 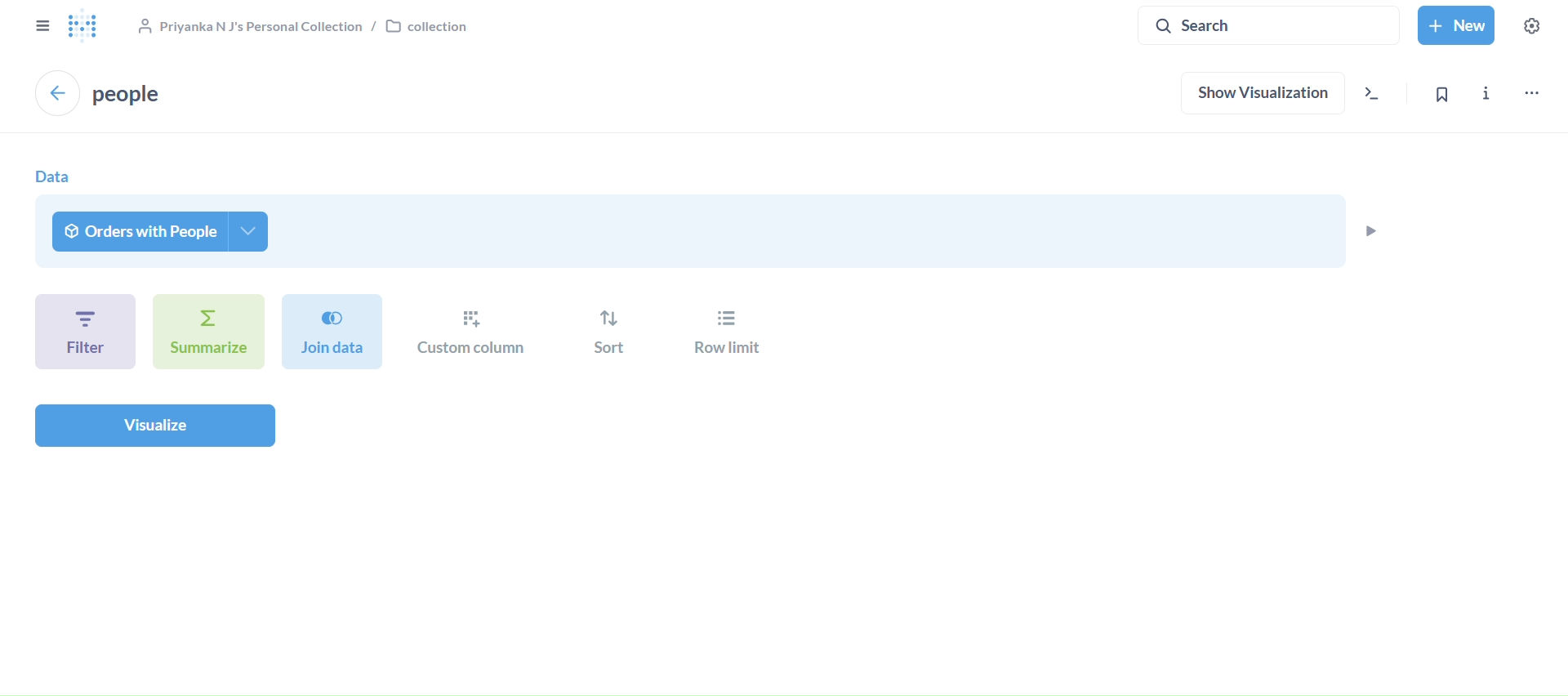 What do you see at coordinates (1490, 97) in the screenshot?
I see `info` at bounding box center [1490, 97].